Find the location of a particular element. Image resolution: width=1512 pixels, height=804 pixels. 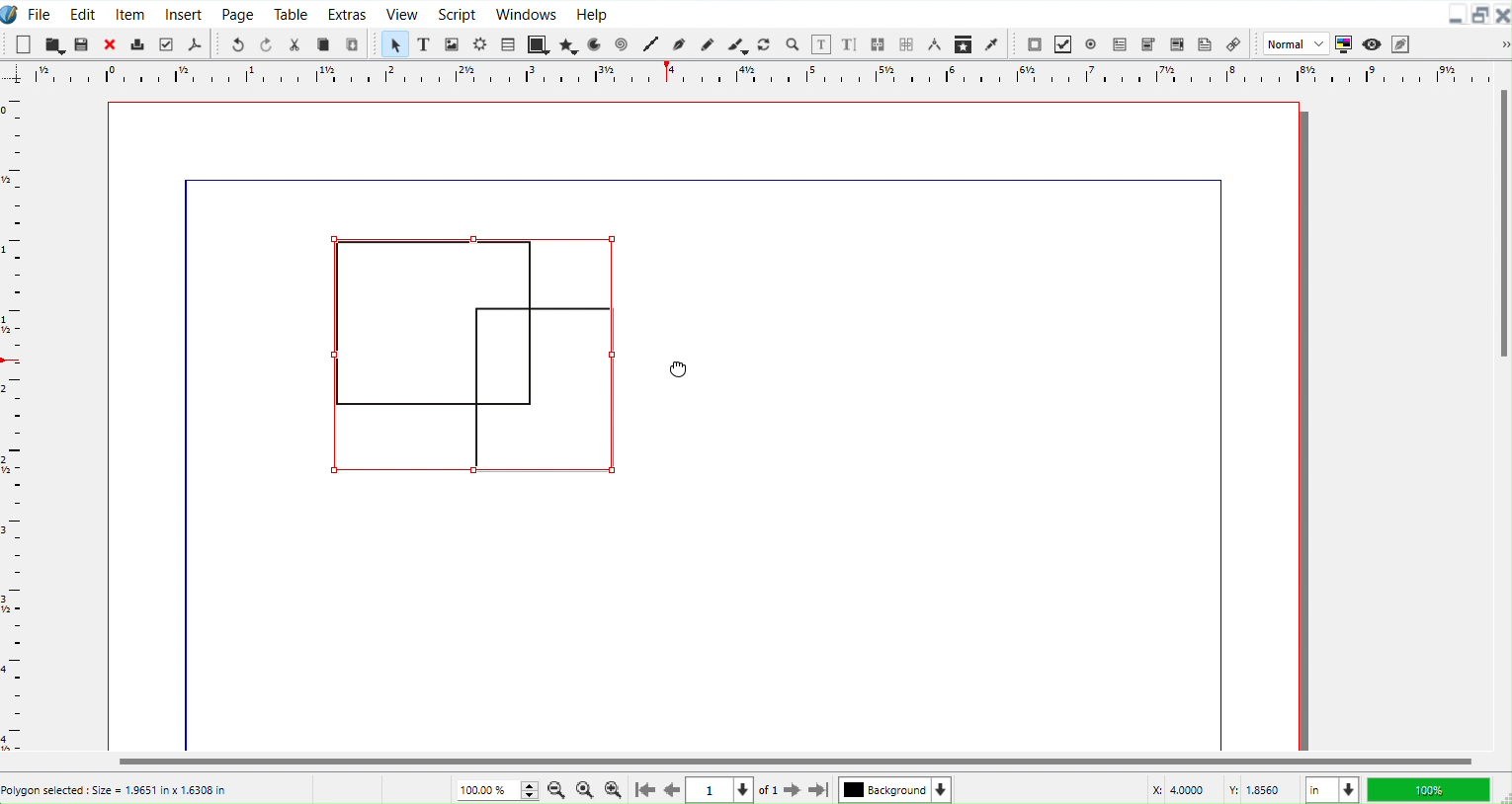

Drop down box is located at coordinates (1496, 43).